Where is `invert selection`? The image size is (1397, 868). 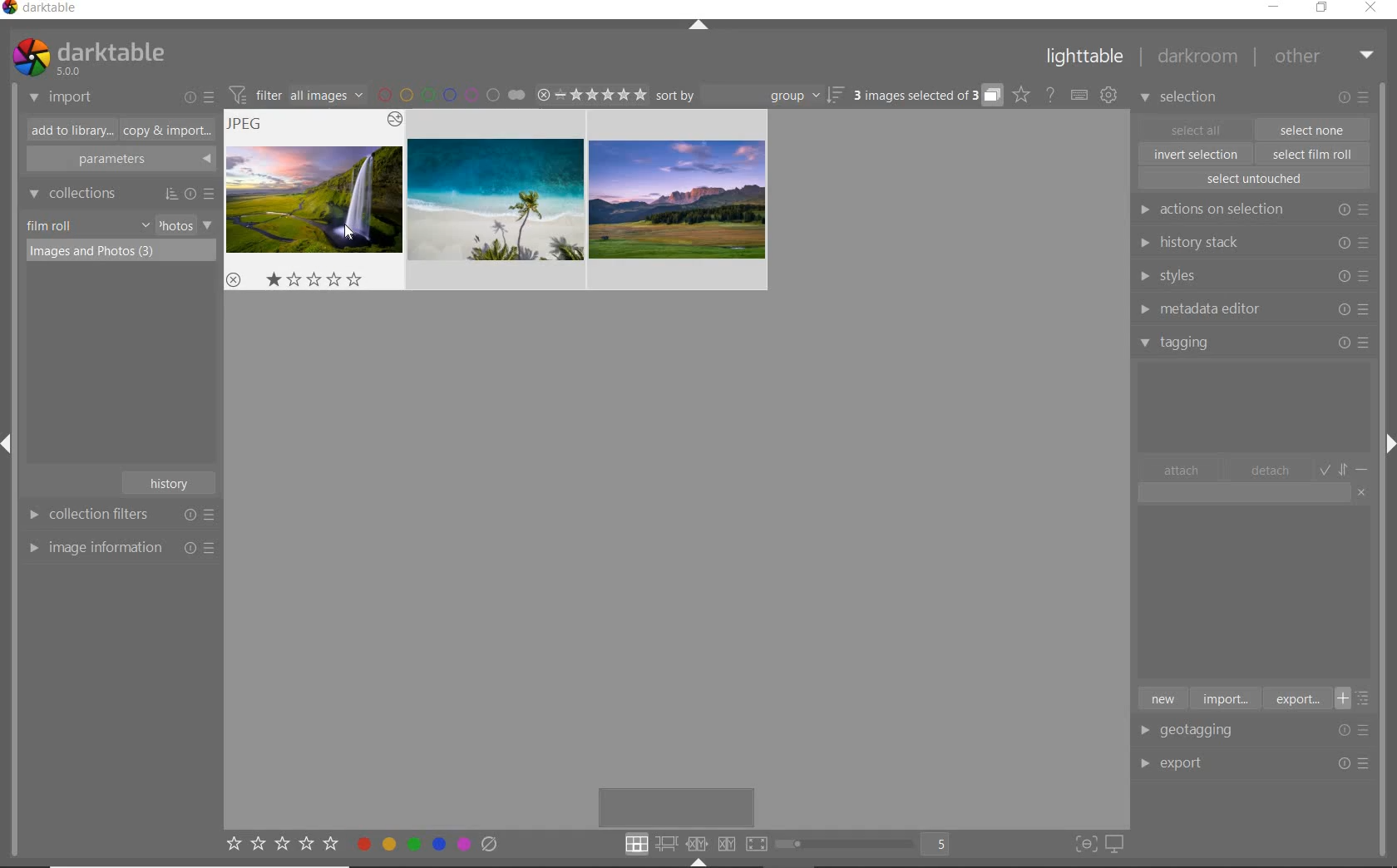 invert selection is located at coordinates (1197, 154).